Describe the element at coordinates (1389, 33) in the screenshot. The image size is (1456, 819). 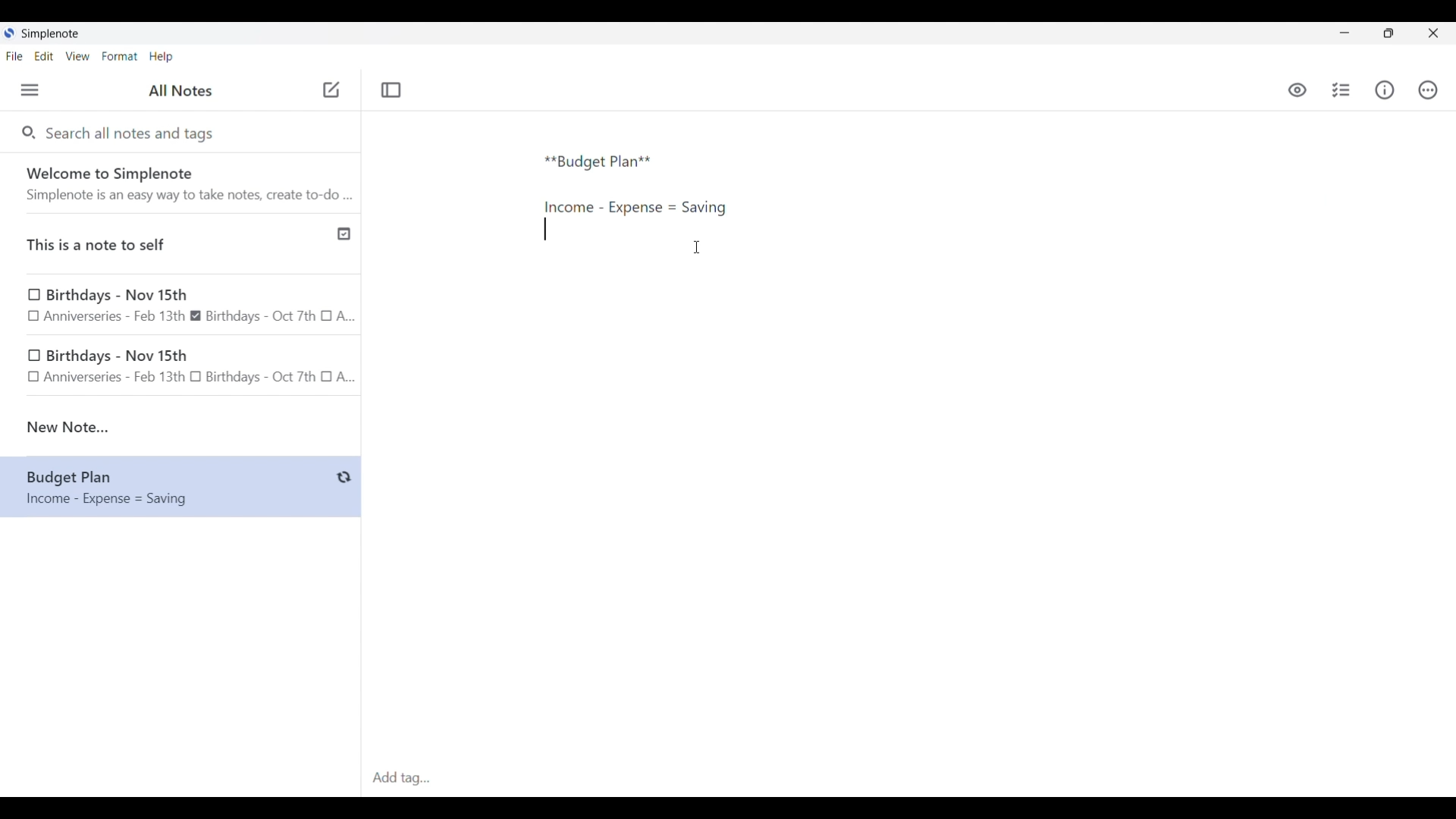
I see `Show interface in a smaller tab` at that location.